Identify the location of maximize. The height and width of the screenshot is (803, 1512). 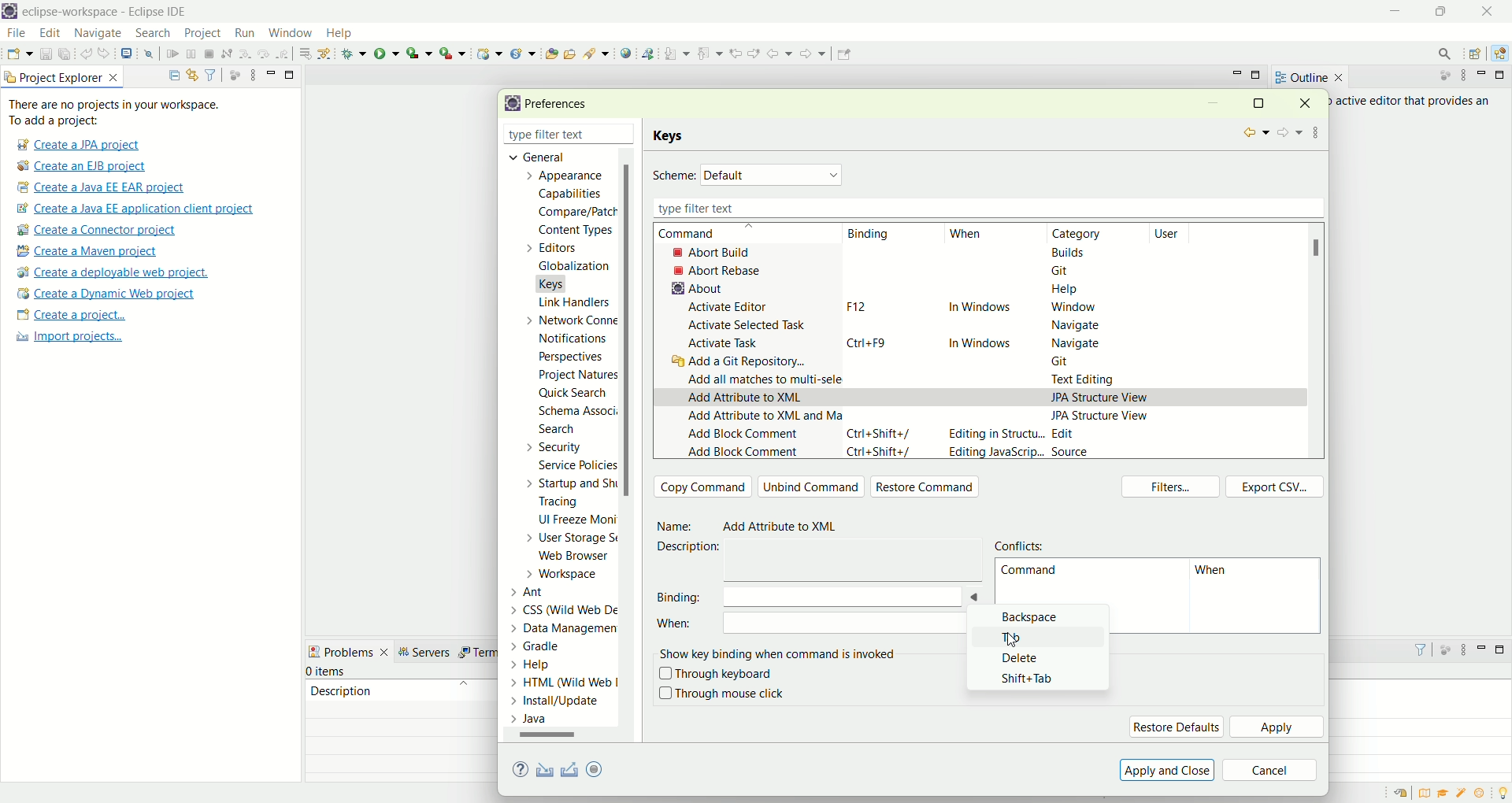
(1445, 11).